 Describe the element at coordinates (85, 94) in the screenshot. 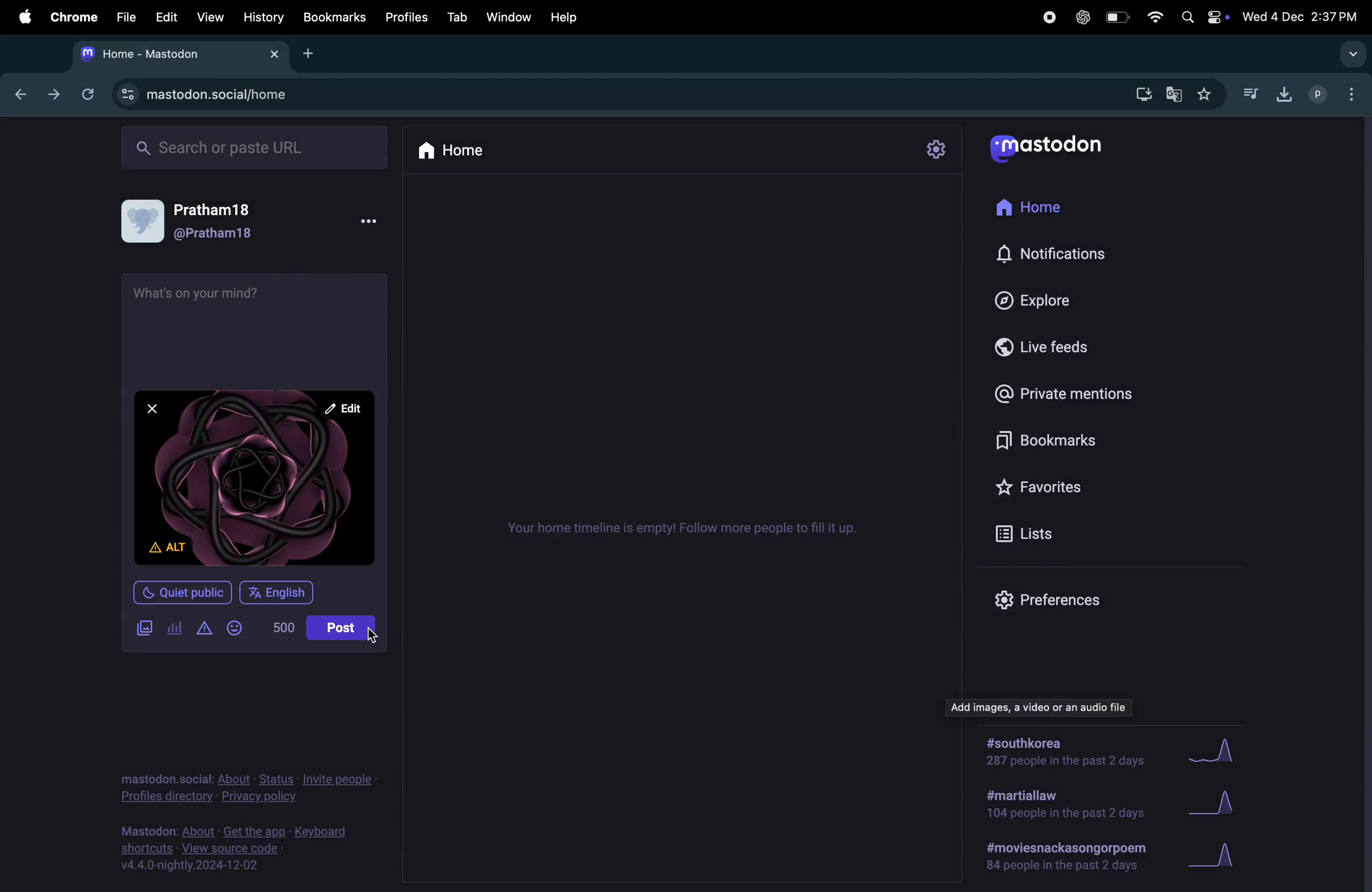

I see `refresh` at that location.